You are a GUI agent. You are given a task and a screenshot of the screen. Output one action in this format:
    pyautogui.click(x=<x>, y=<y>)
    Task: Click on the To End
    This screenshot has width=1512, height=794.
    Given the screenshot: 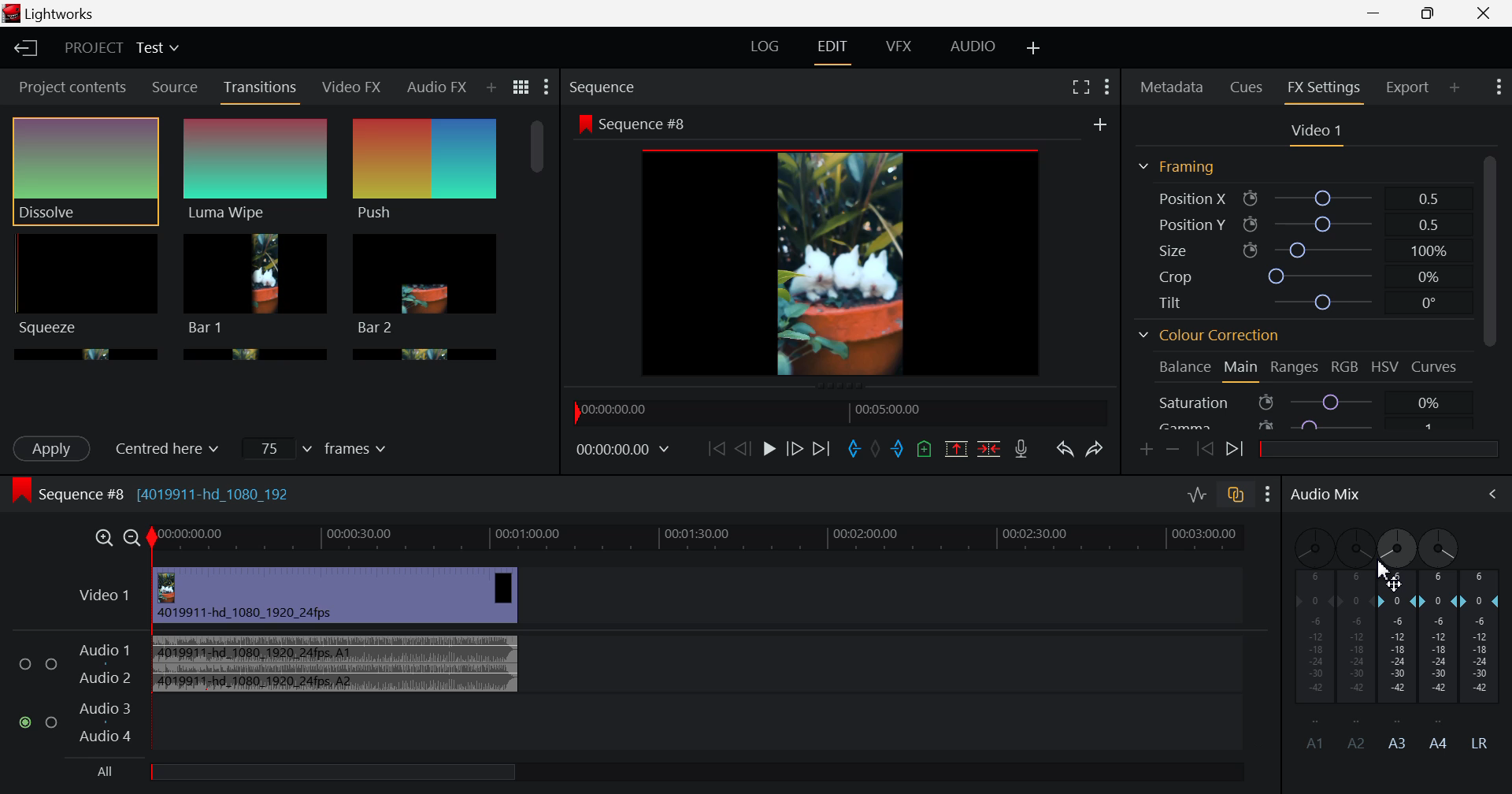 What is the action you would take?
    pyautogui.click(x=822, y=451)
    